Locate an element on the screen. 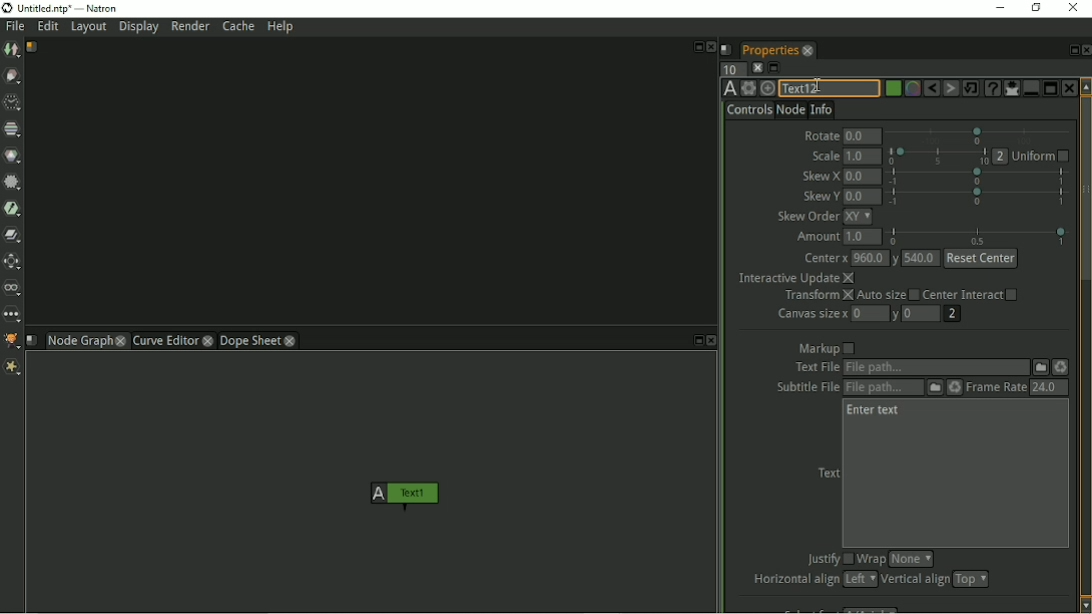  Text is located at coordinates (827, 473).